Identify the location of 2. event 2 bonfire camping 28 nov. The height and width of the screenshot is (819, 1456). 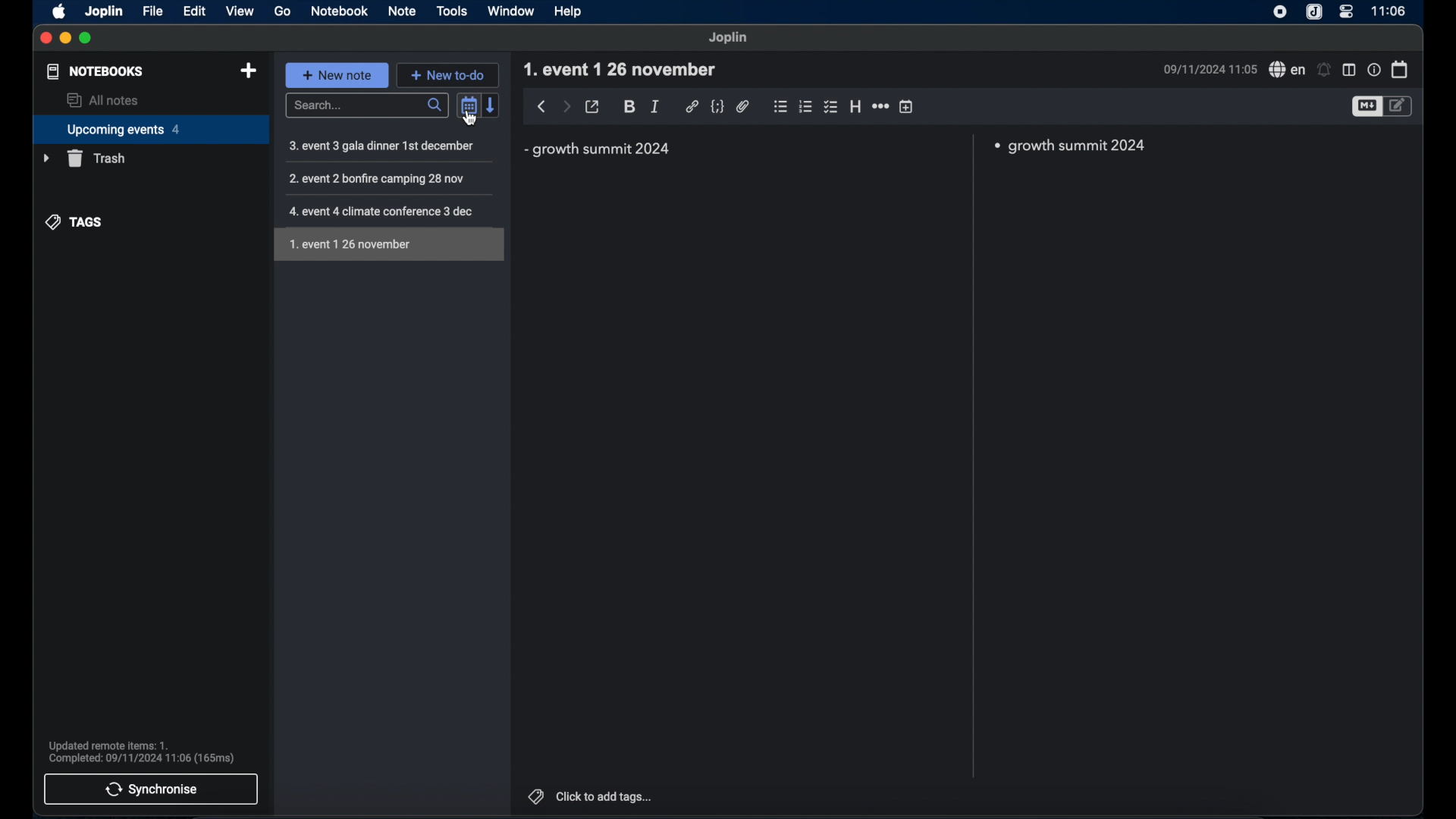
(385, 177).